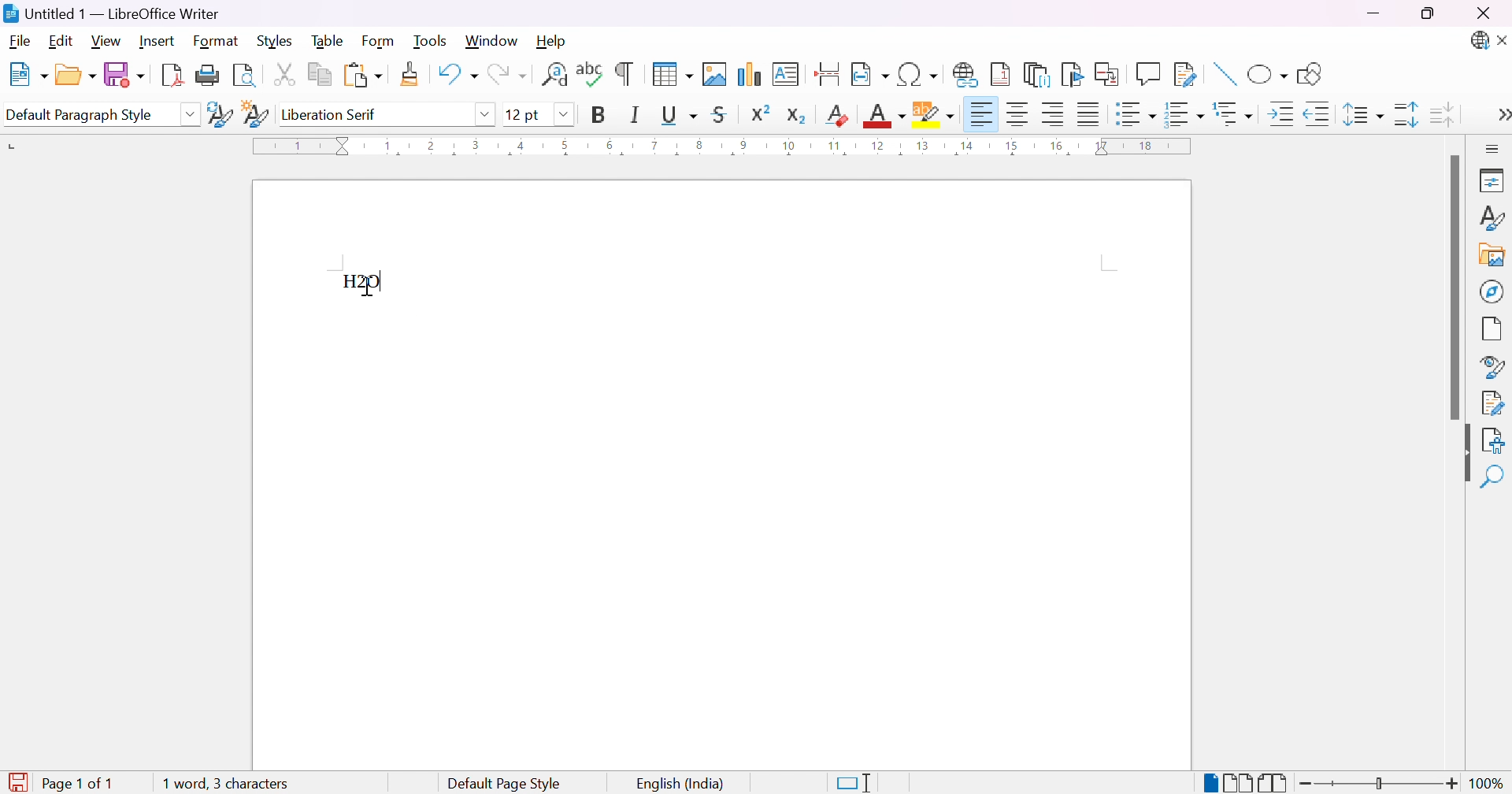  What do you see at coordinates (382, 42) in the screenshot?
I see `Form` at bounding box center [382, 42].